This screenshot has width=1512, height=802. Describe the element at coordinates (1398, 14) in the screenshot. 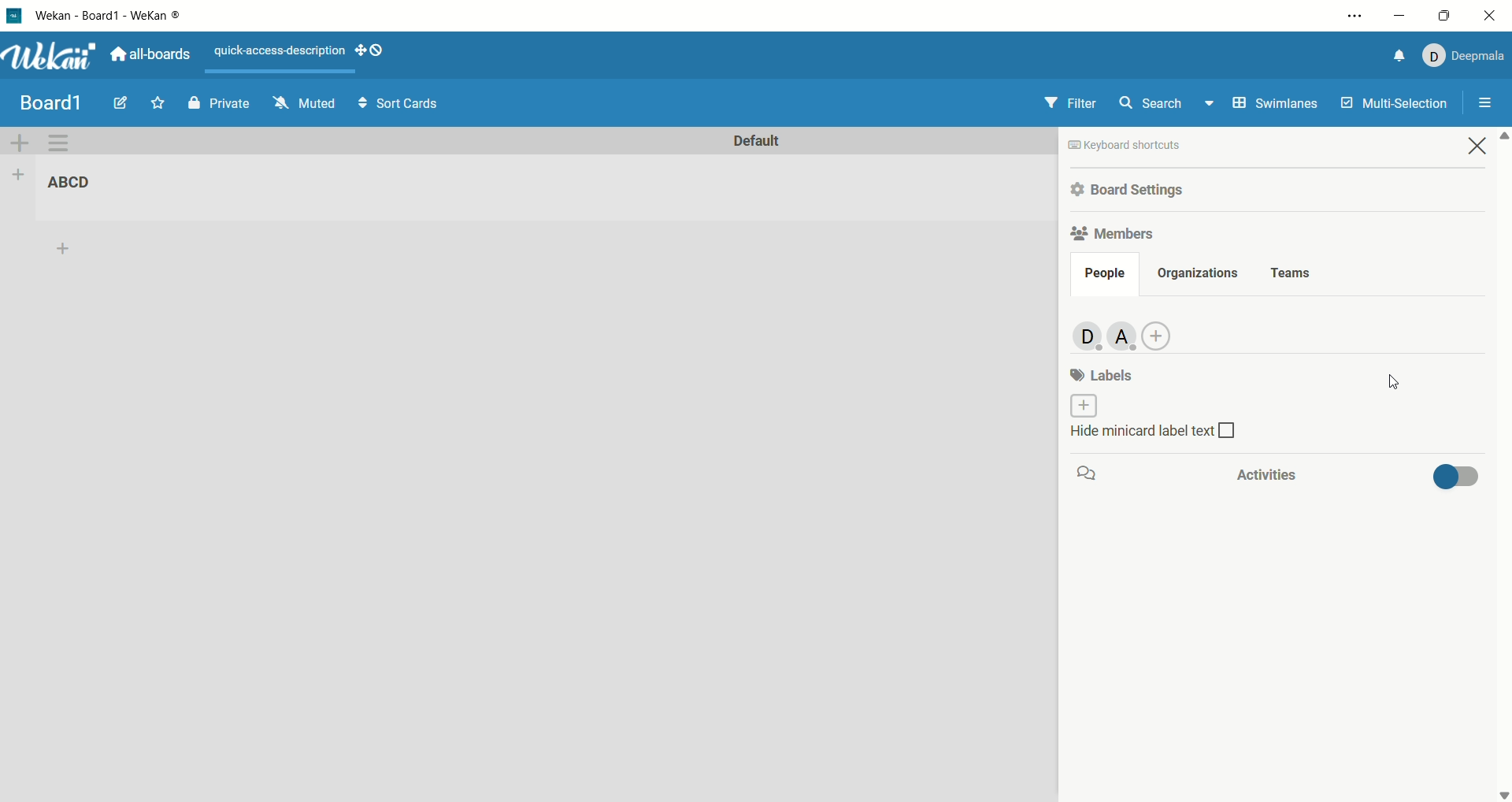

I see `minimize` at that location.